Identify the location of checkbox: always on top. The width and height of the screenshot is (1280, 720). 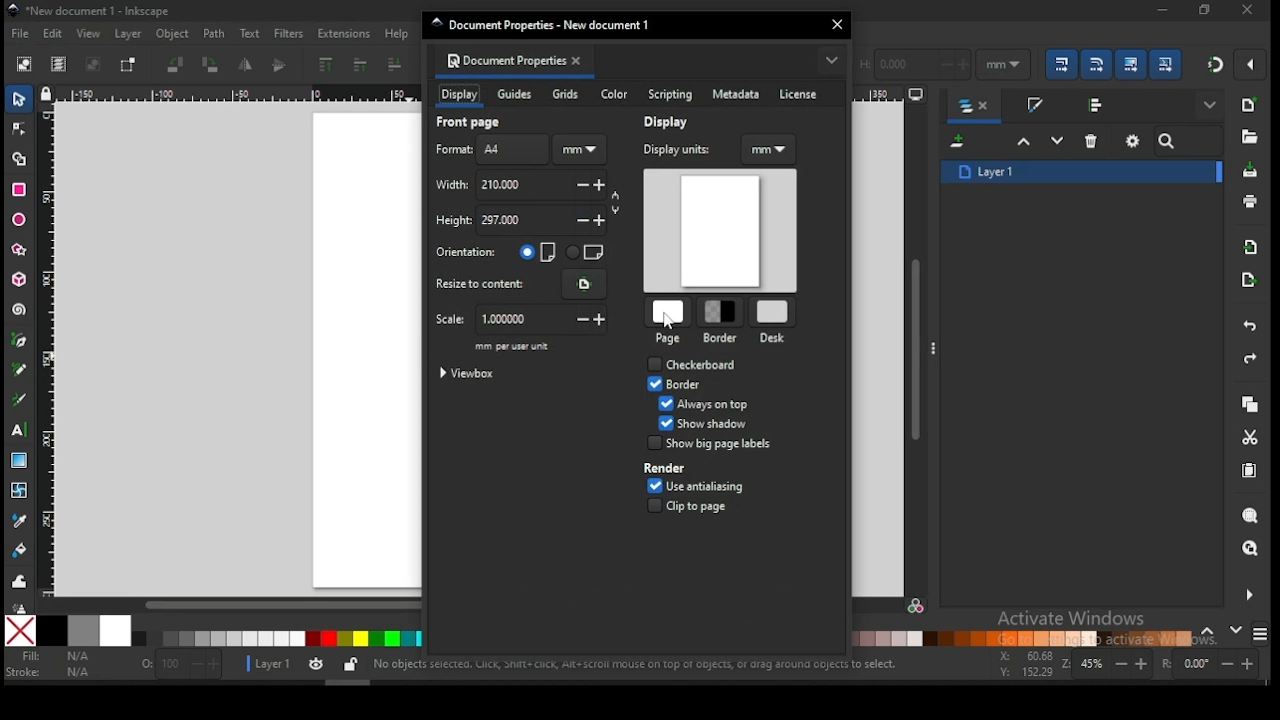
(702, 406).